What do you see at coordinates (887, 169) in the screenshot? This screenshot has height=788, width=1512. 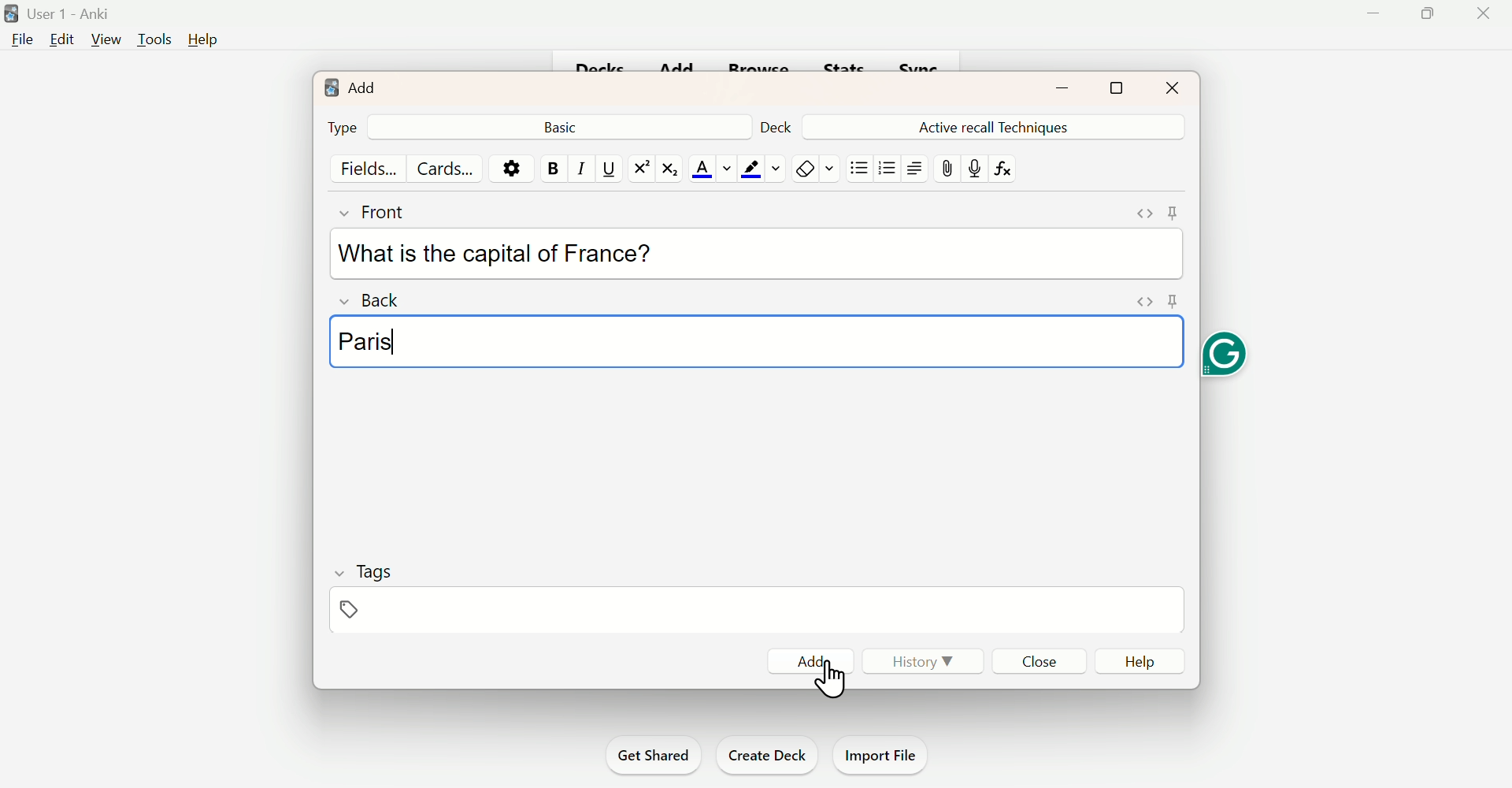 I see `Organised List` at bounding box center [887, 169].